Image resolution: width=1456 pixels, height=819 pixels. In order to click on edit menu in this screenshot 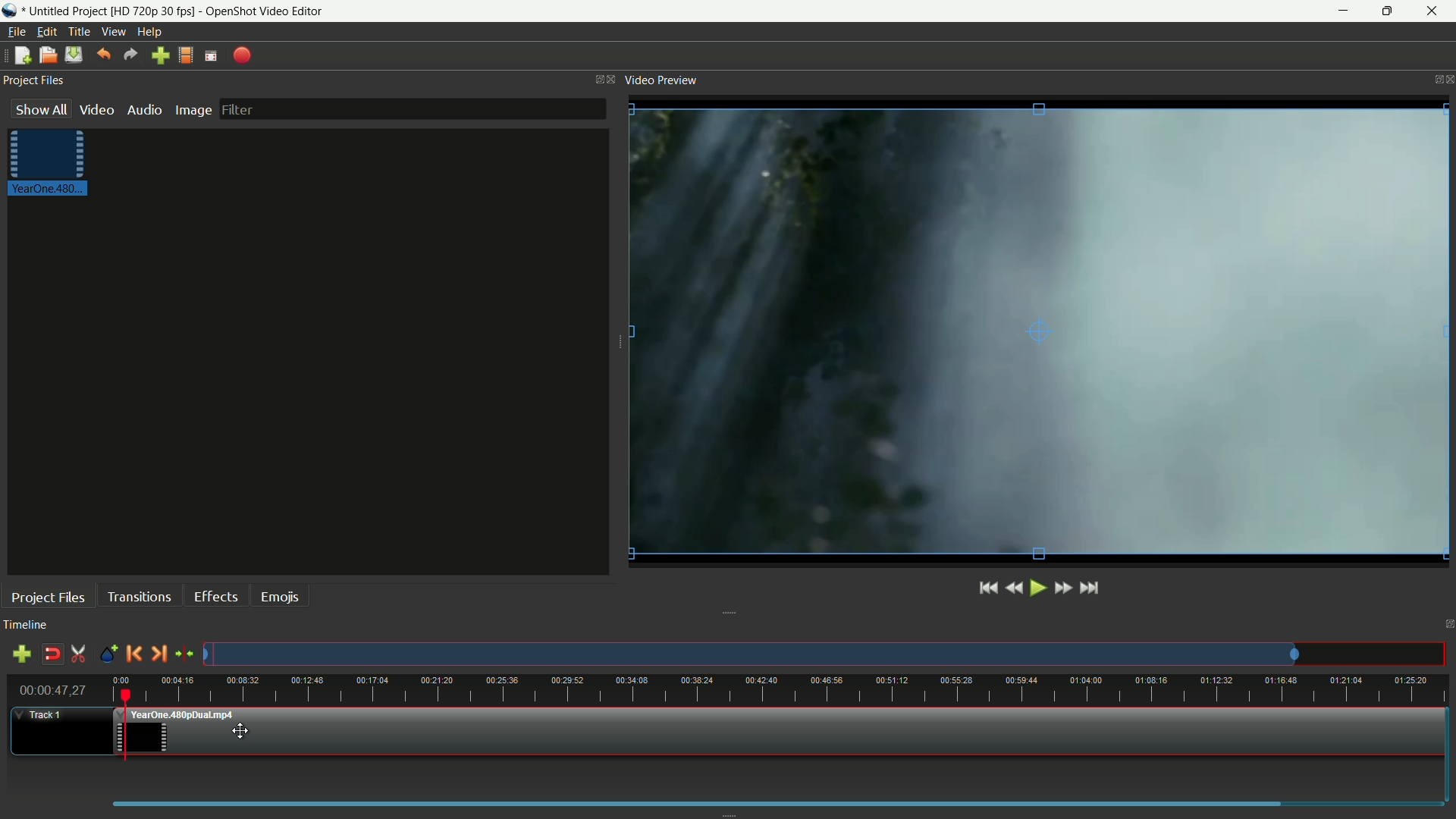, I will do `click(45, 33)`.